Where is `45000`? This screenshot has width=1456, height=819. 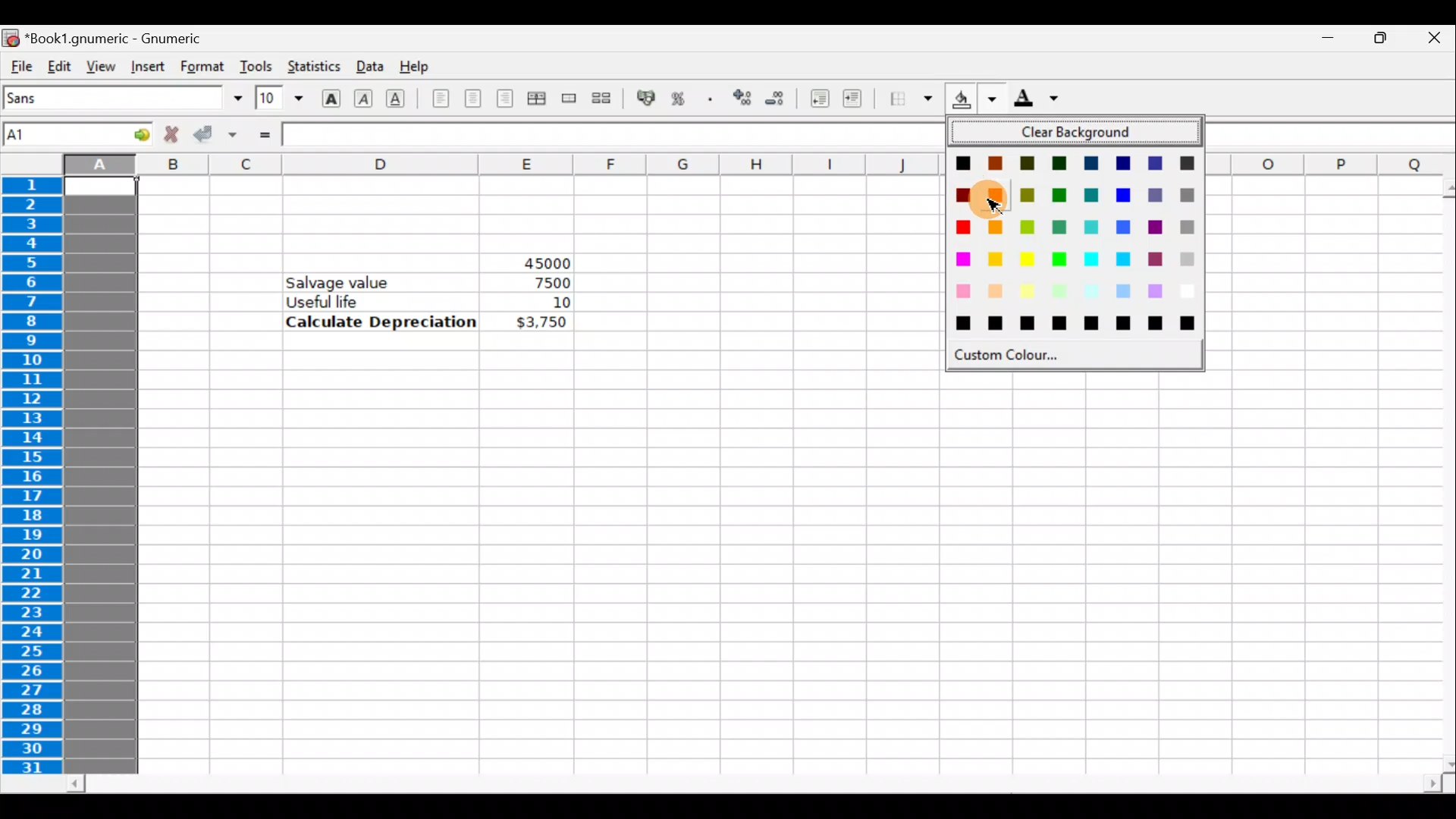 45000 is located at coordinates (533, 260).